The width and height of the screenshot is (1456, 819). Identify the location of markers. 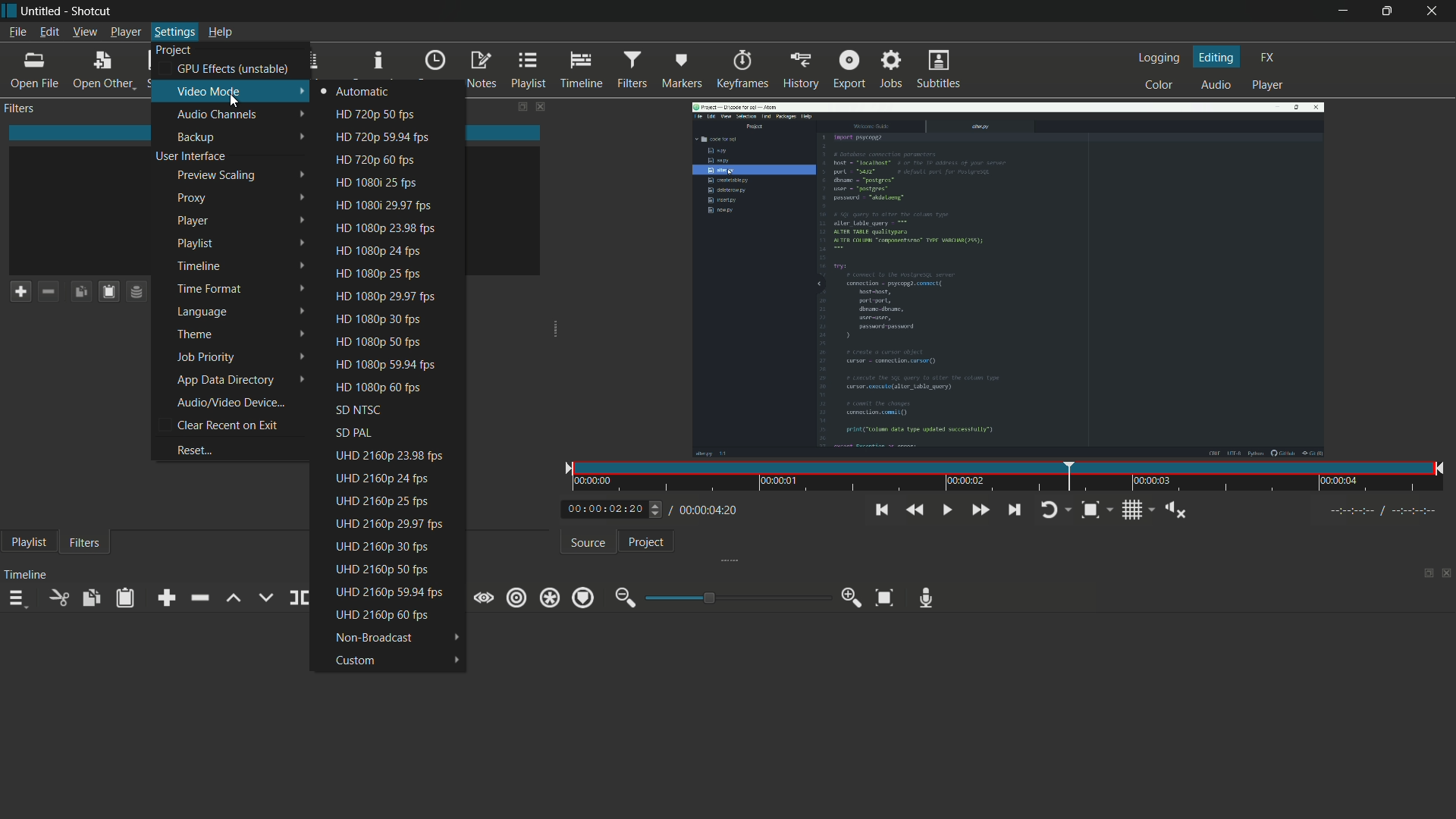
(682, 71).